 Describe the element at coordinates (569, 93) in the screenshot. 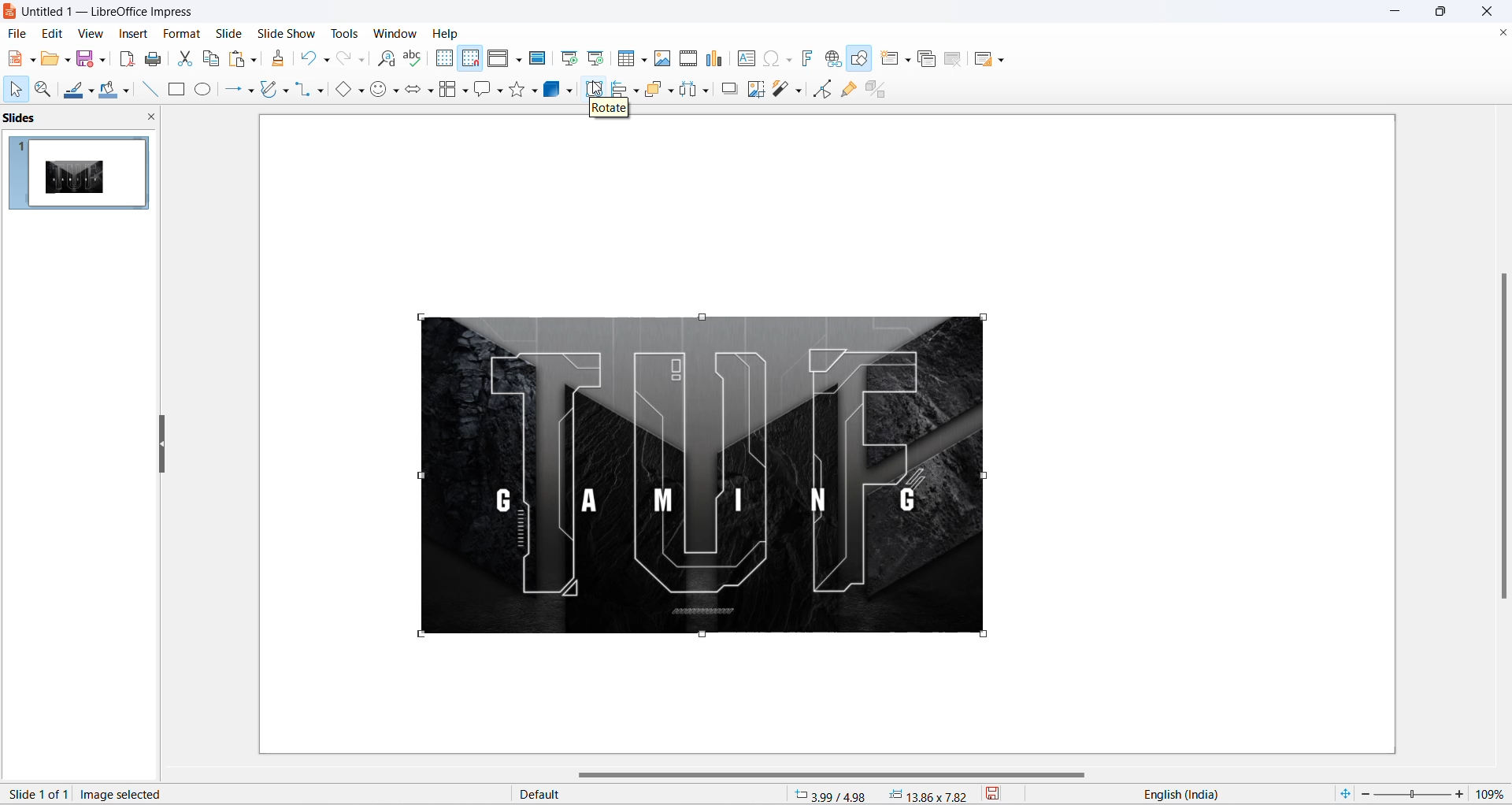

I see `3d object optiona` at that location.